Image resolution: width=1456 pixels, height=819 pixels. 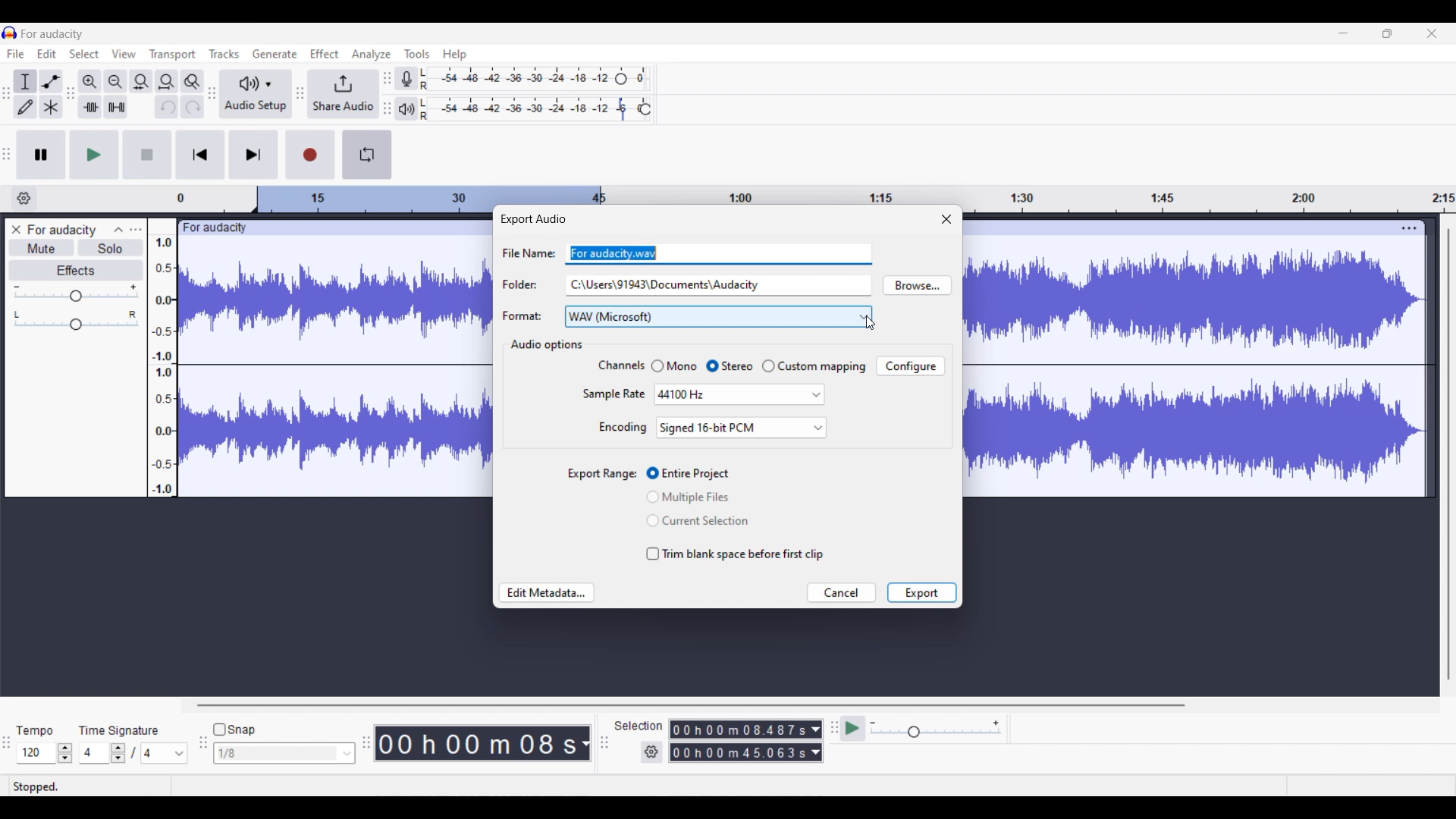 I want to click on Tempo settings, so click(x=34, y=731).